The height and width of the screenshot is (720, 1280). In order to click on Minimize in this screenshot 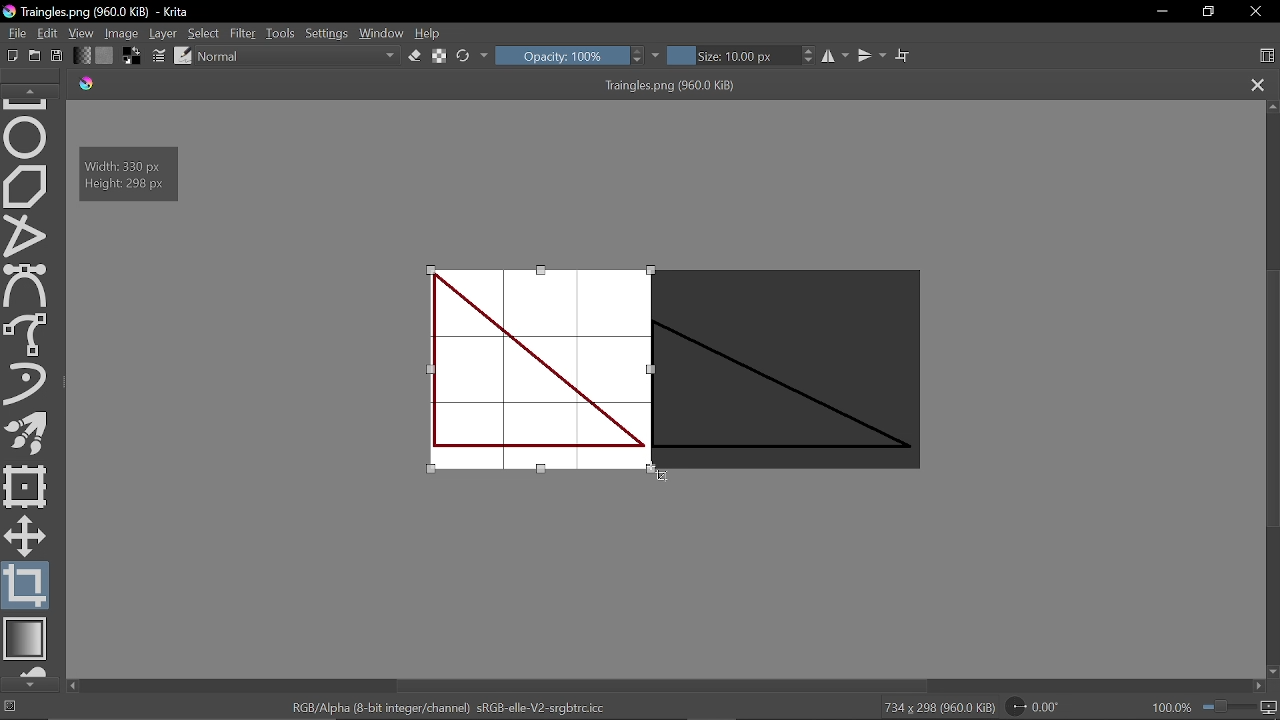, I will do `click(1162, 13)`.